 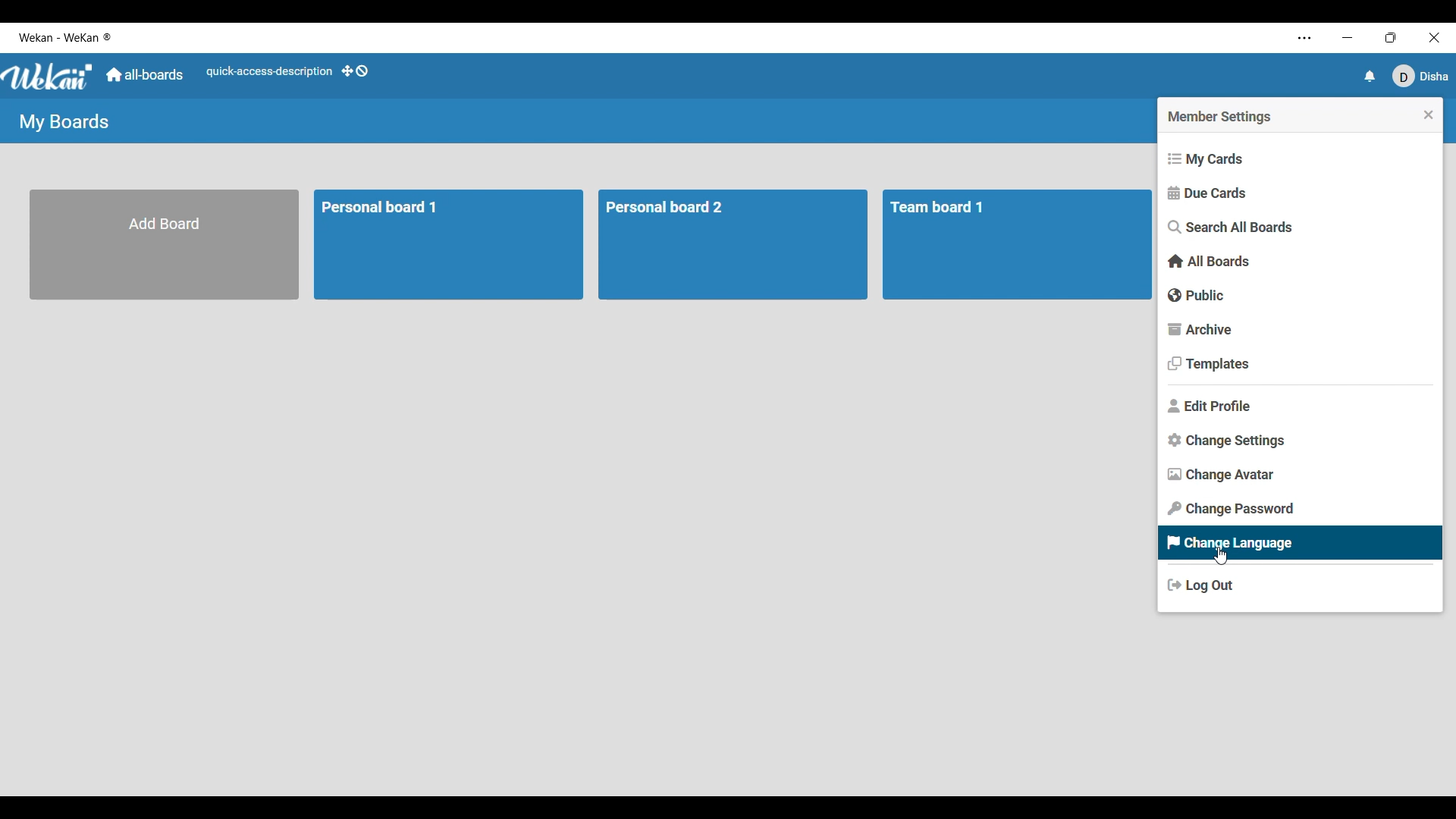 What do you see at coordinates (1300, 509) in the screenshot?
I see `Change password` at bounding box center [1300, 509].